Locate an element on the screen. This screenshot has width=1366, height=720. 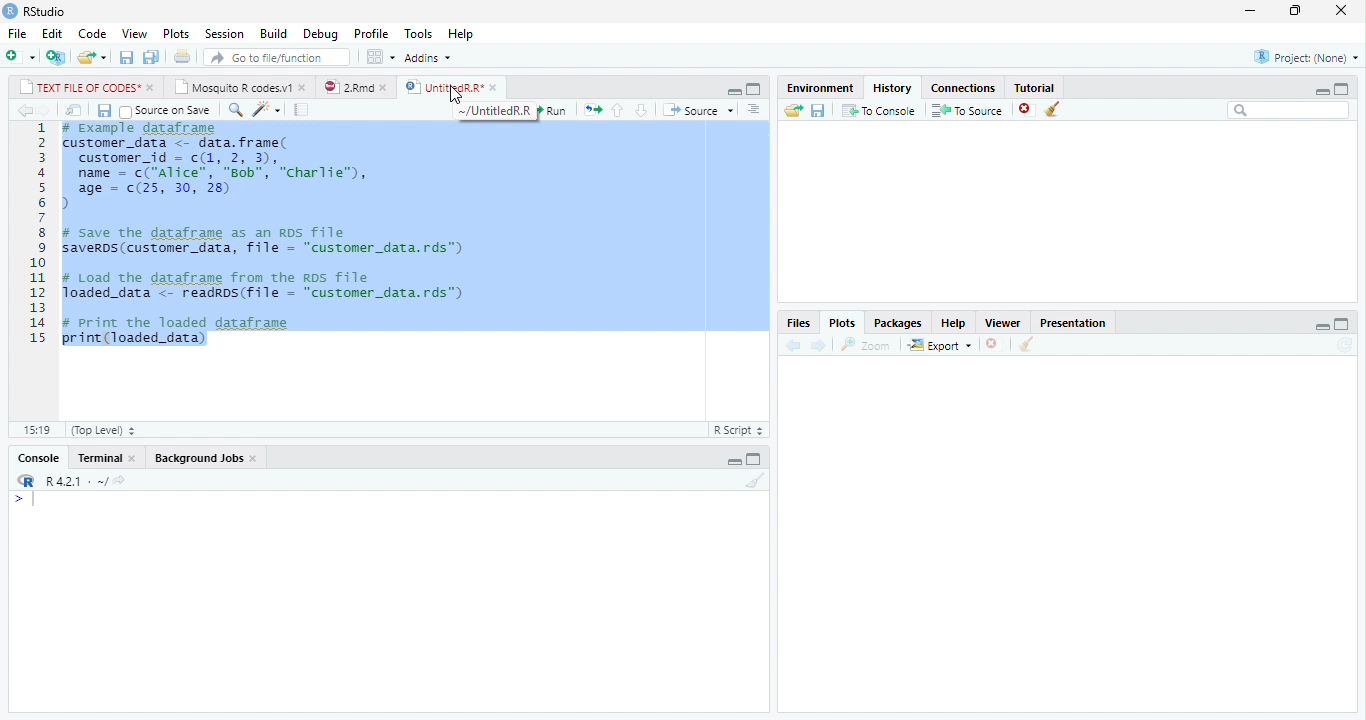
Tools is located at coordinates (418, 32).